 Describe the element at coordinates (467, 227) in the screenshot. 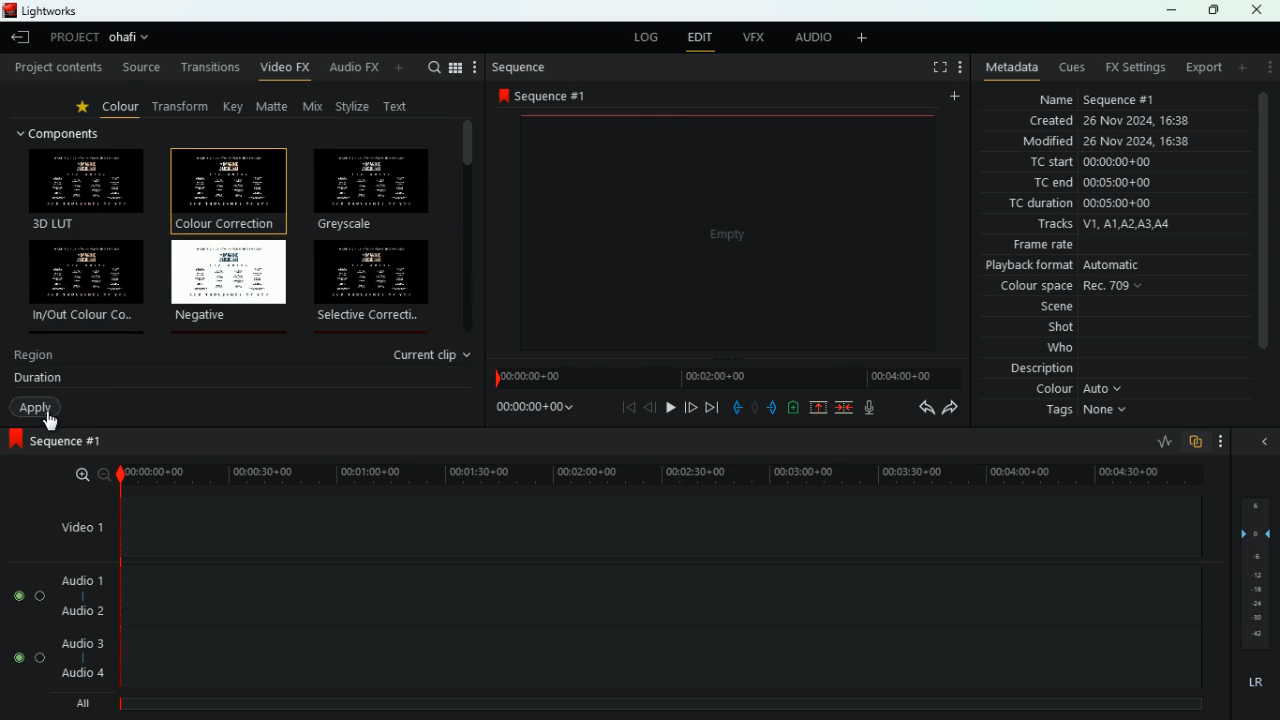

I see `vertical scroll bar` at that location.